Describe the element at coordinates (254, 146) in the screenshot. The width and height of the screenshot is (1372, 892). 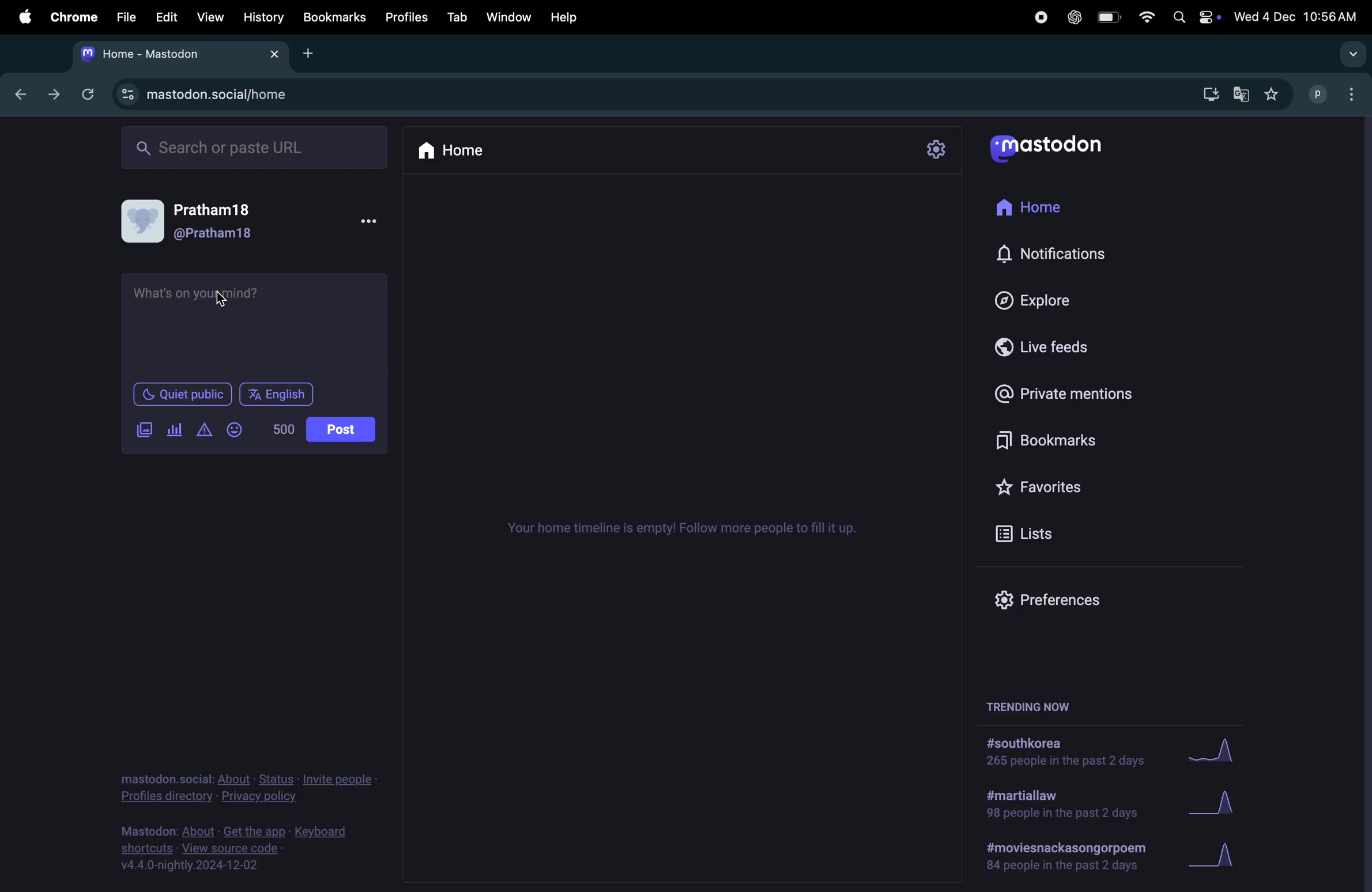
I see `Search bar` at that location.